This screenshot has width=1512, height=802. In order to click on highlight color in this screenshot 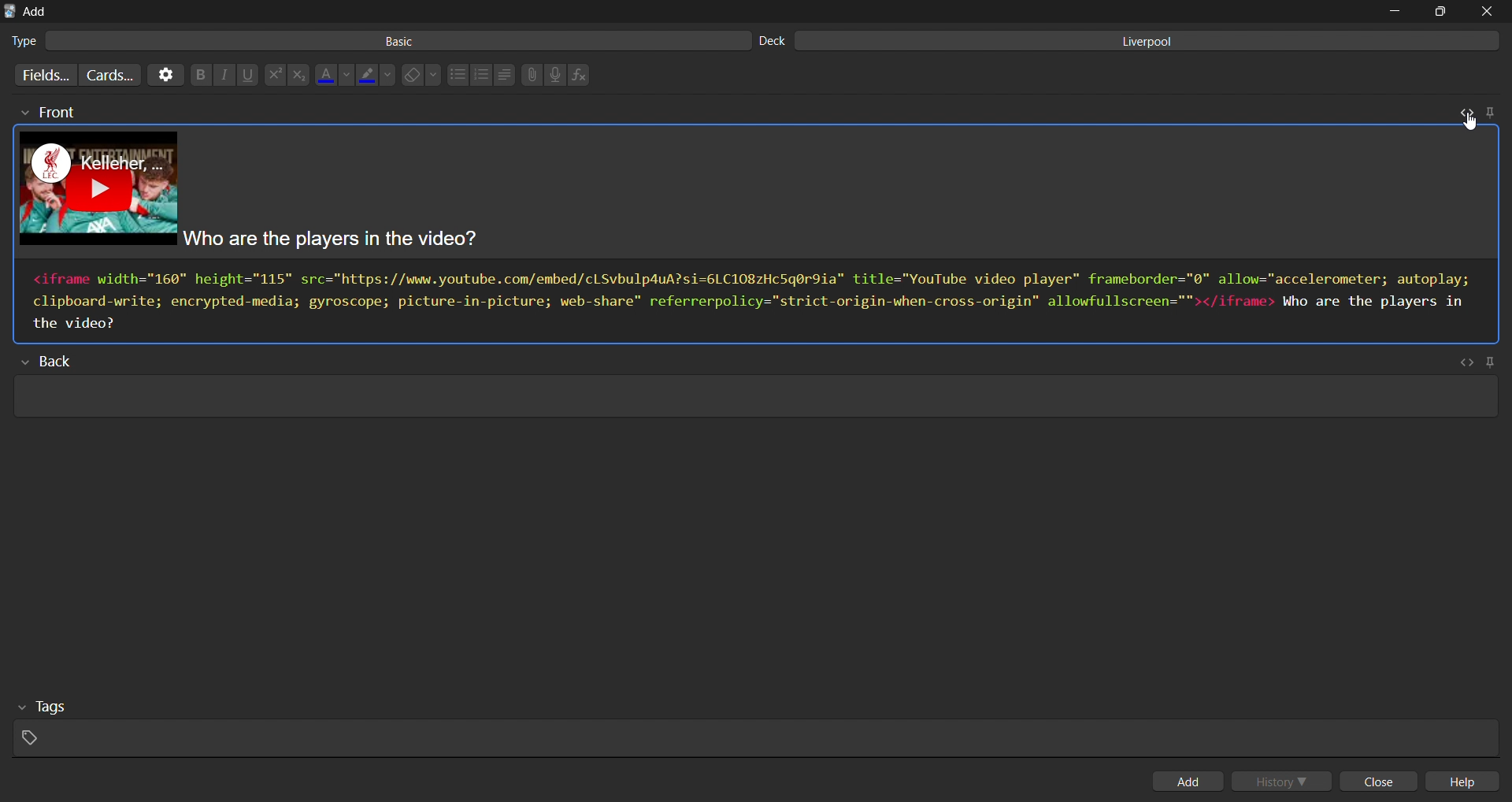, I will do `click(377, 72)`.